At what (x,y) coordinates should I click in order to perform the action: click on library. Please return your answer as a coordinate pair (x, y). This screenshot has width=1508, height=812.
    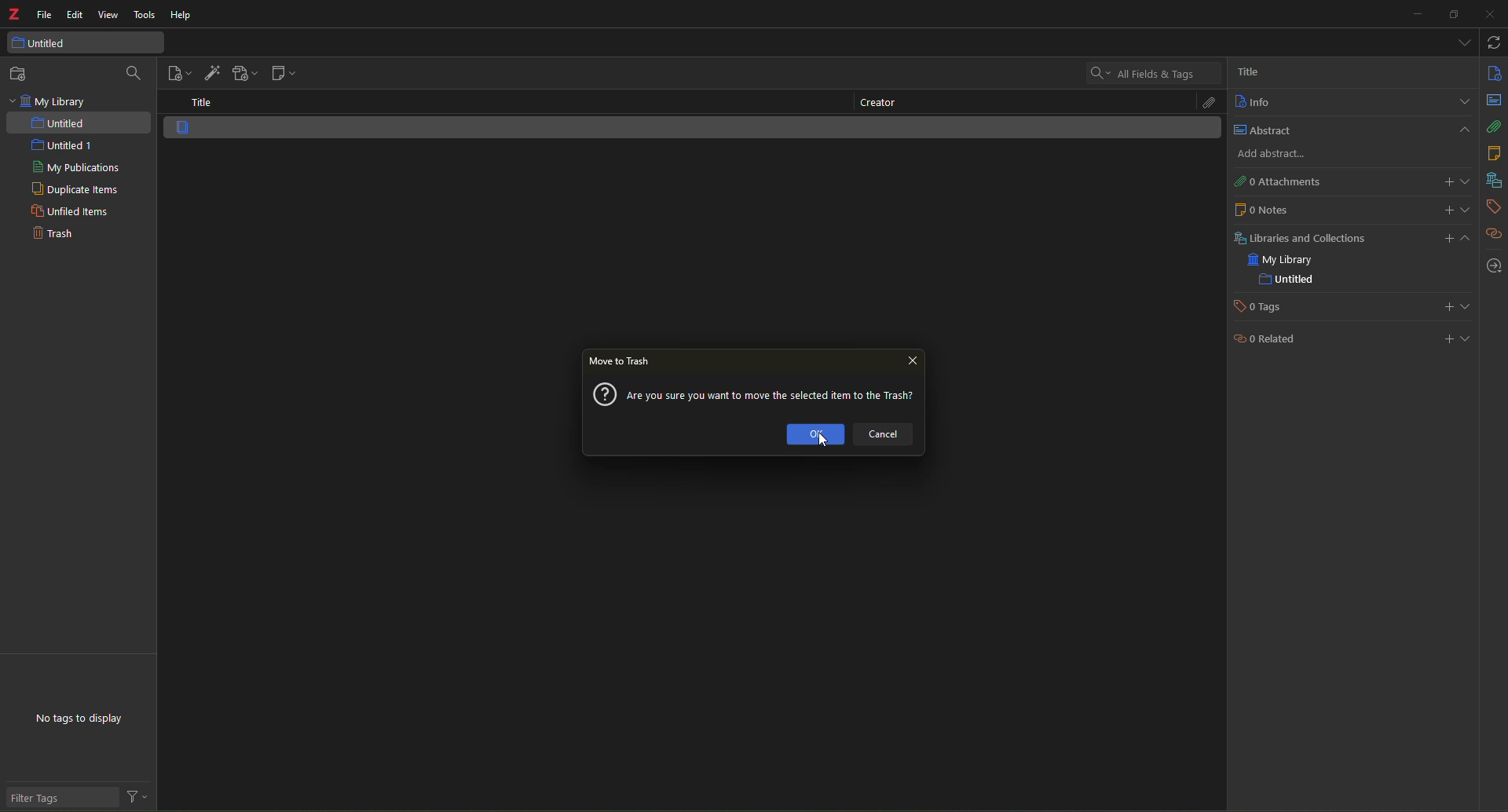
    Looking at the image, I should click on (1492, 181).